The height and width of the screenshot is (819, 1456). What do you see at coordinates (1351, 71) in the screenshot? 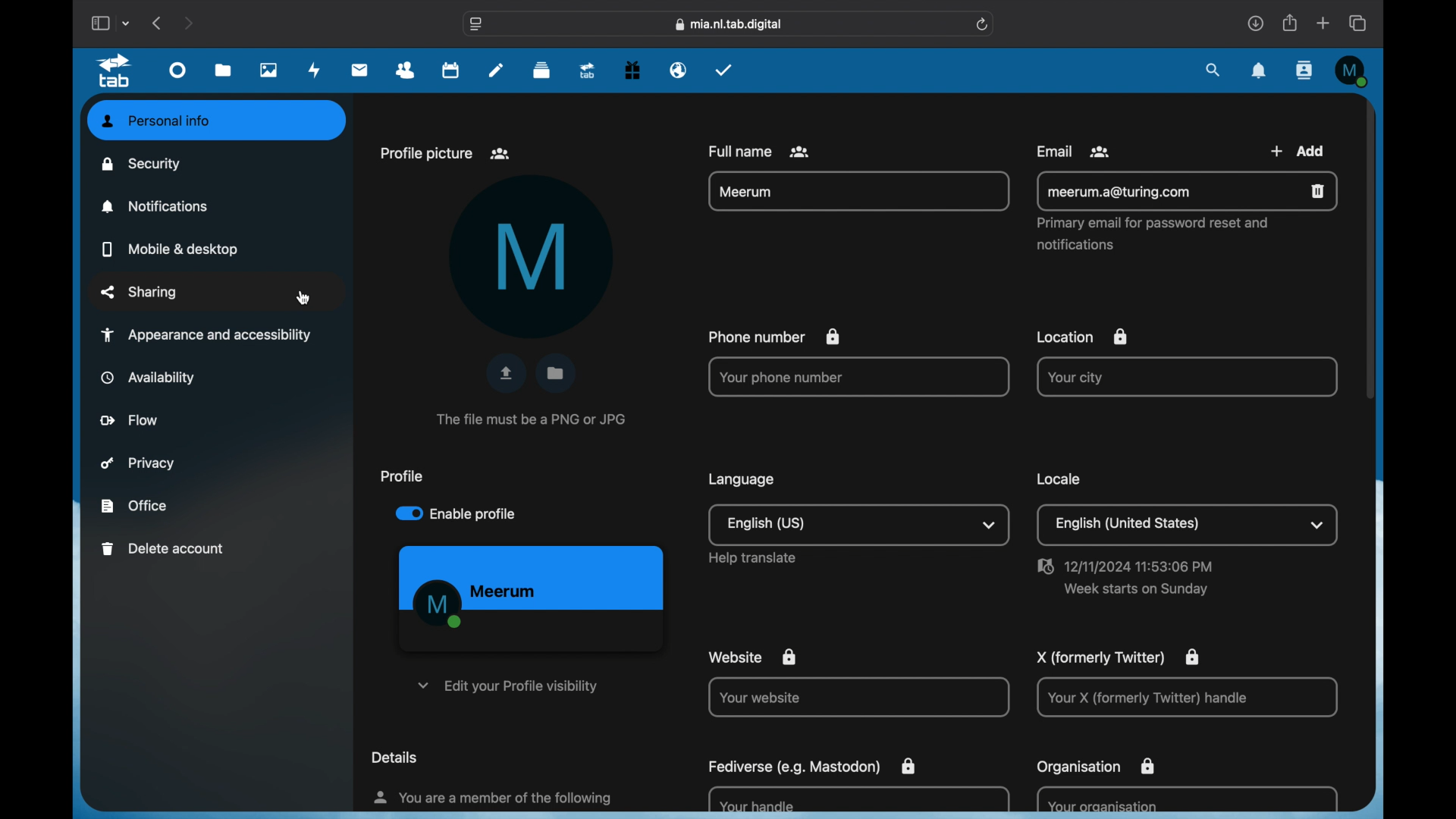
I see `M` at bounding box center [1351, 71].